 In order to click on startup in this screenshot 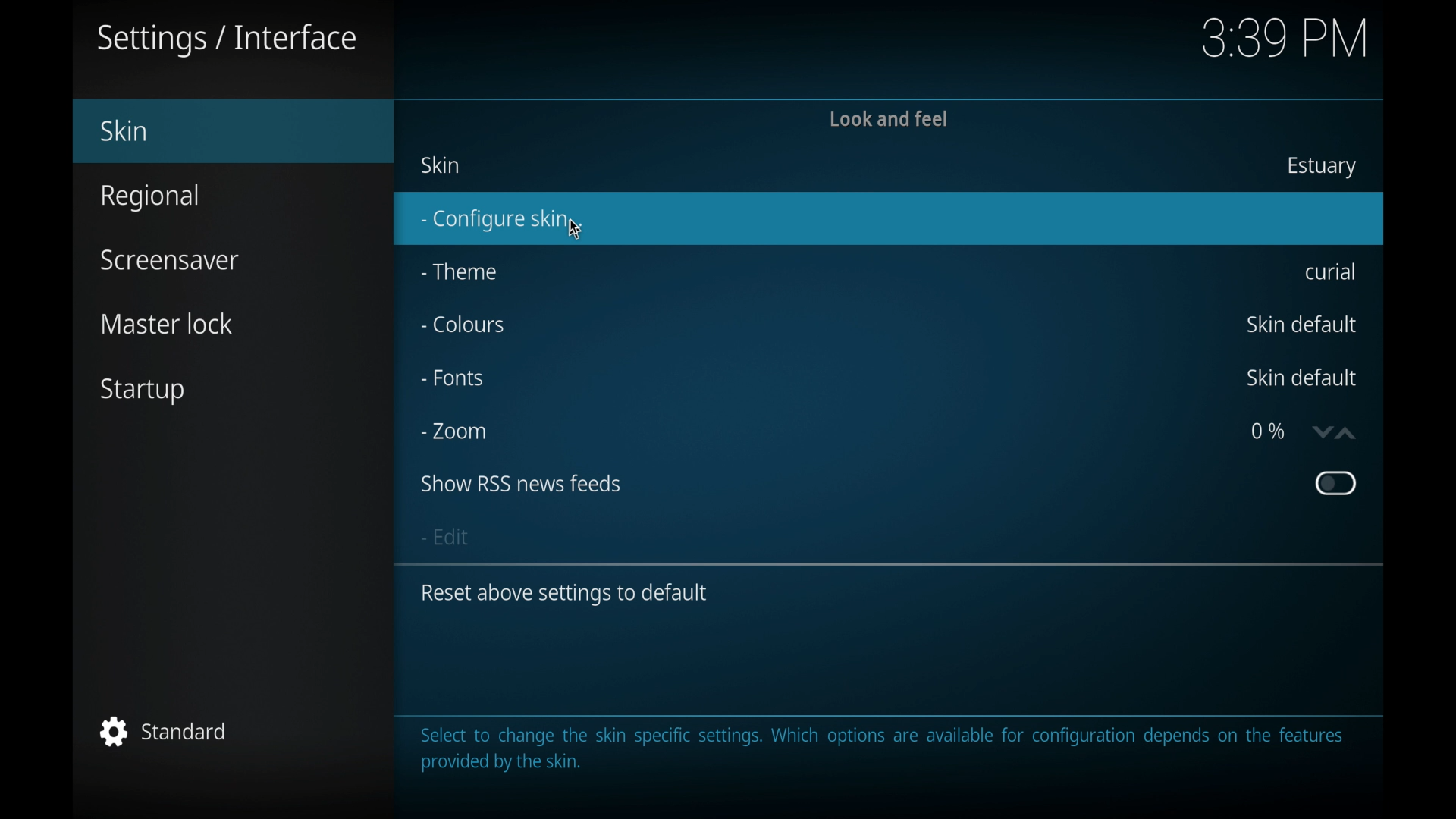, I will do `click(143, 391)`.